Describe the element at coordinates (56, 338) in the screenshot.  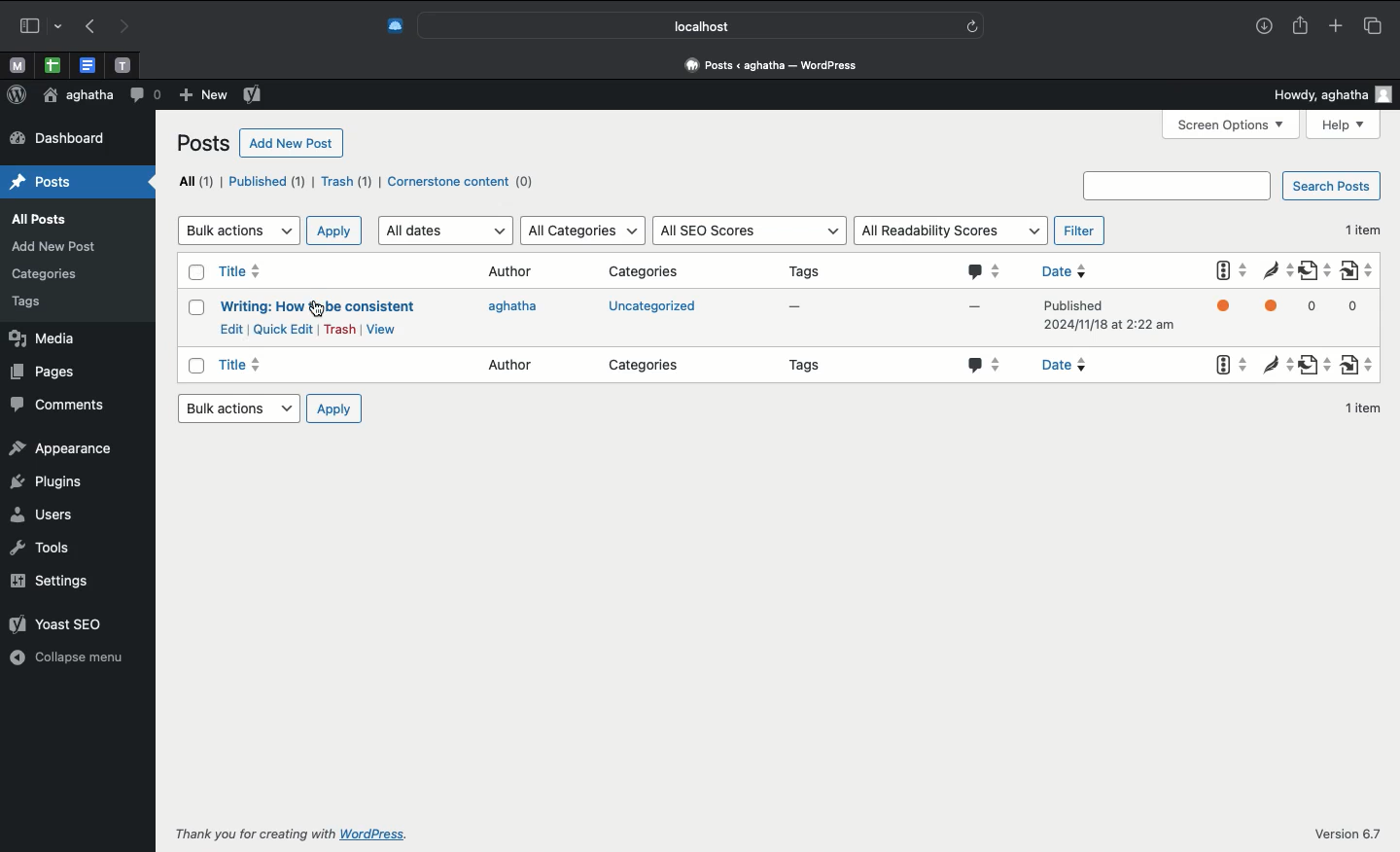
I see `media` at that location.